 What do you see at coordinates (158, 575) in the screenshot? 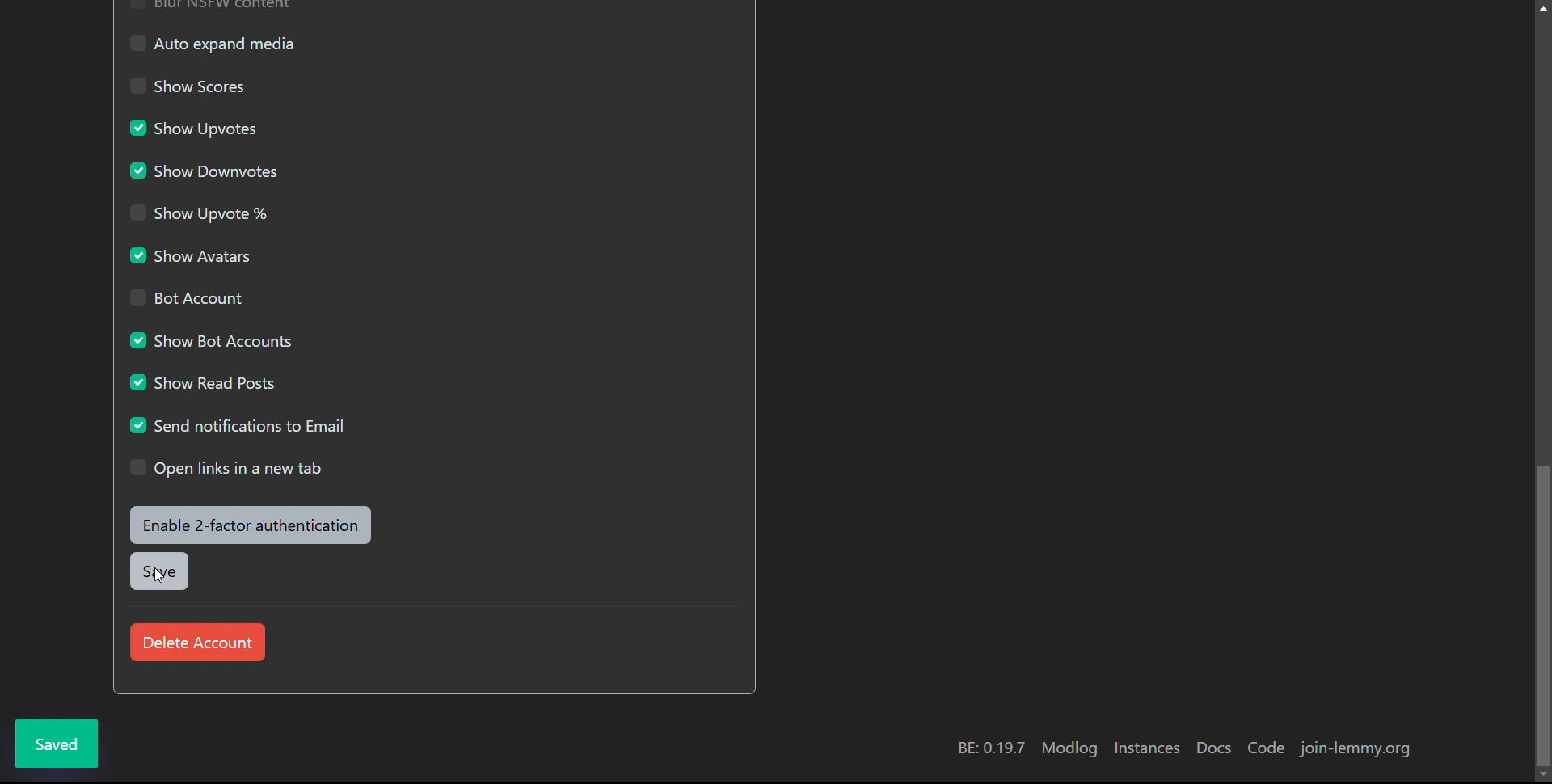
I see `Cursor` at bounding box center [158, 575].